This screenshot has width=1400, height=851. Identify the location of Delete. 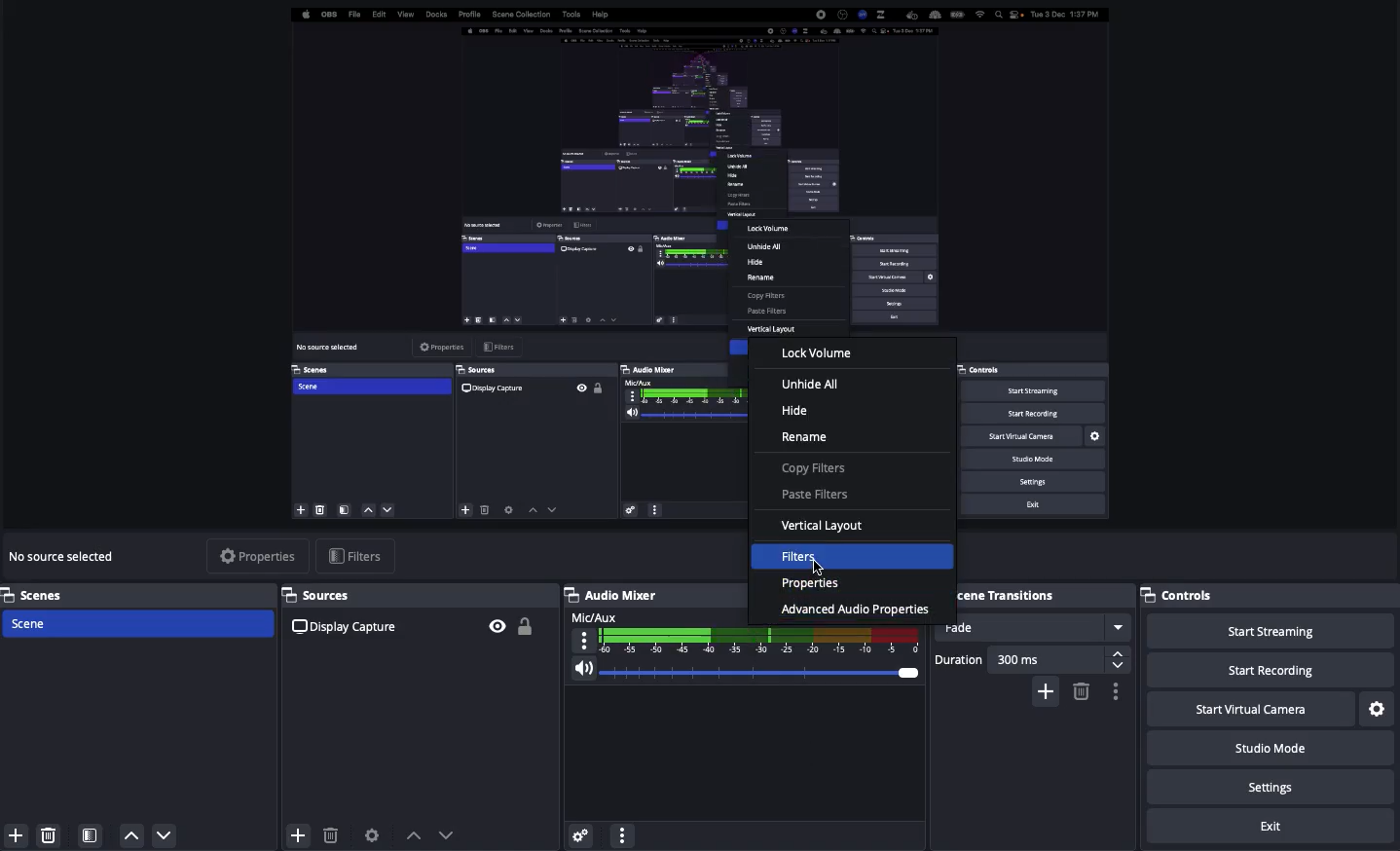
(330, 835).